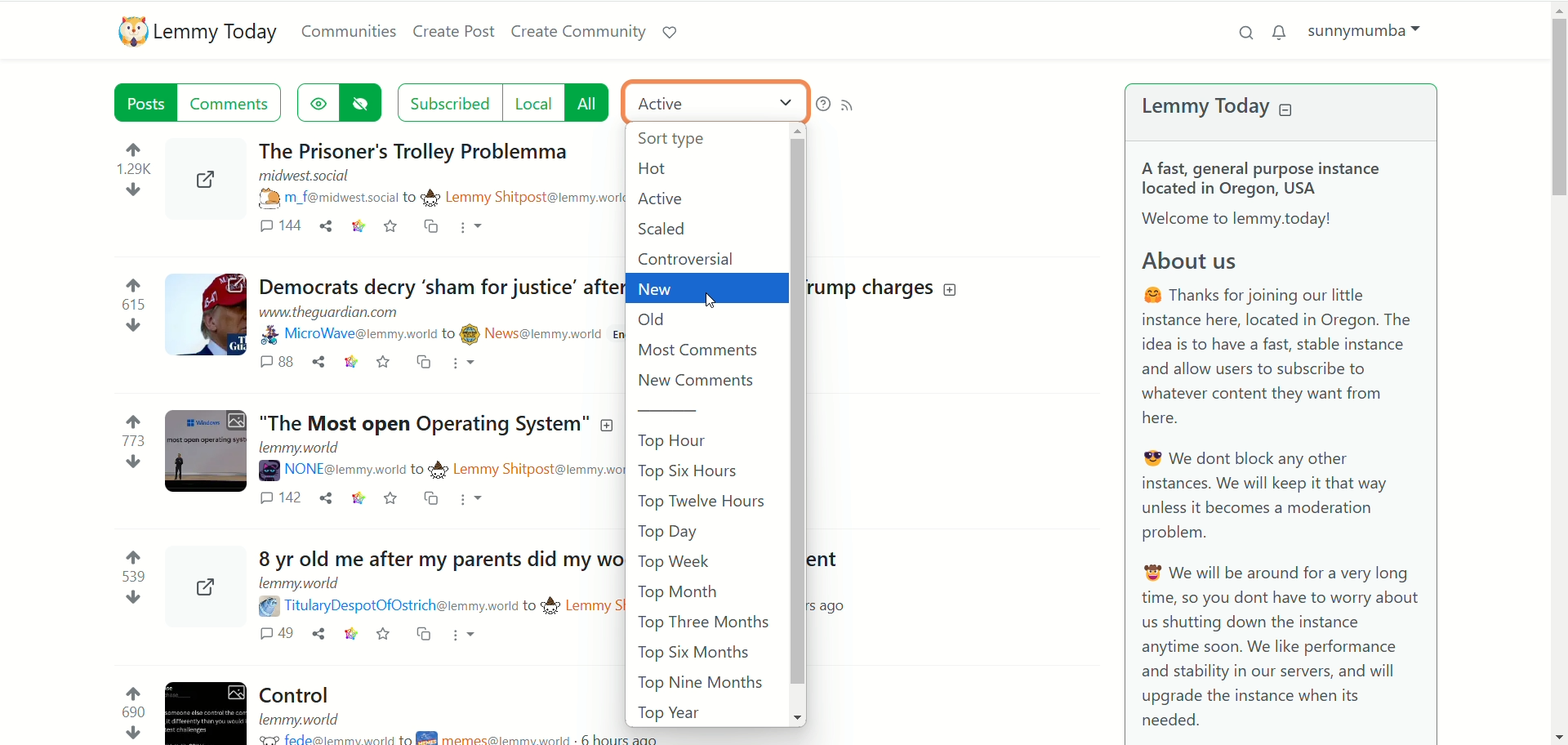 The height and width of the screenshot is (745, 1568). Describe the element at coordinates (307, 694) in the screenshot. I see `Control` at that location.